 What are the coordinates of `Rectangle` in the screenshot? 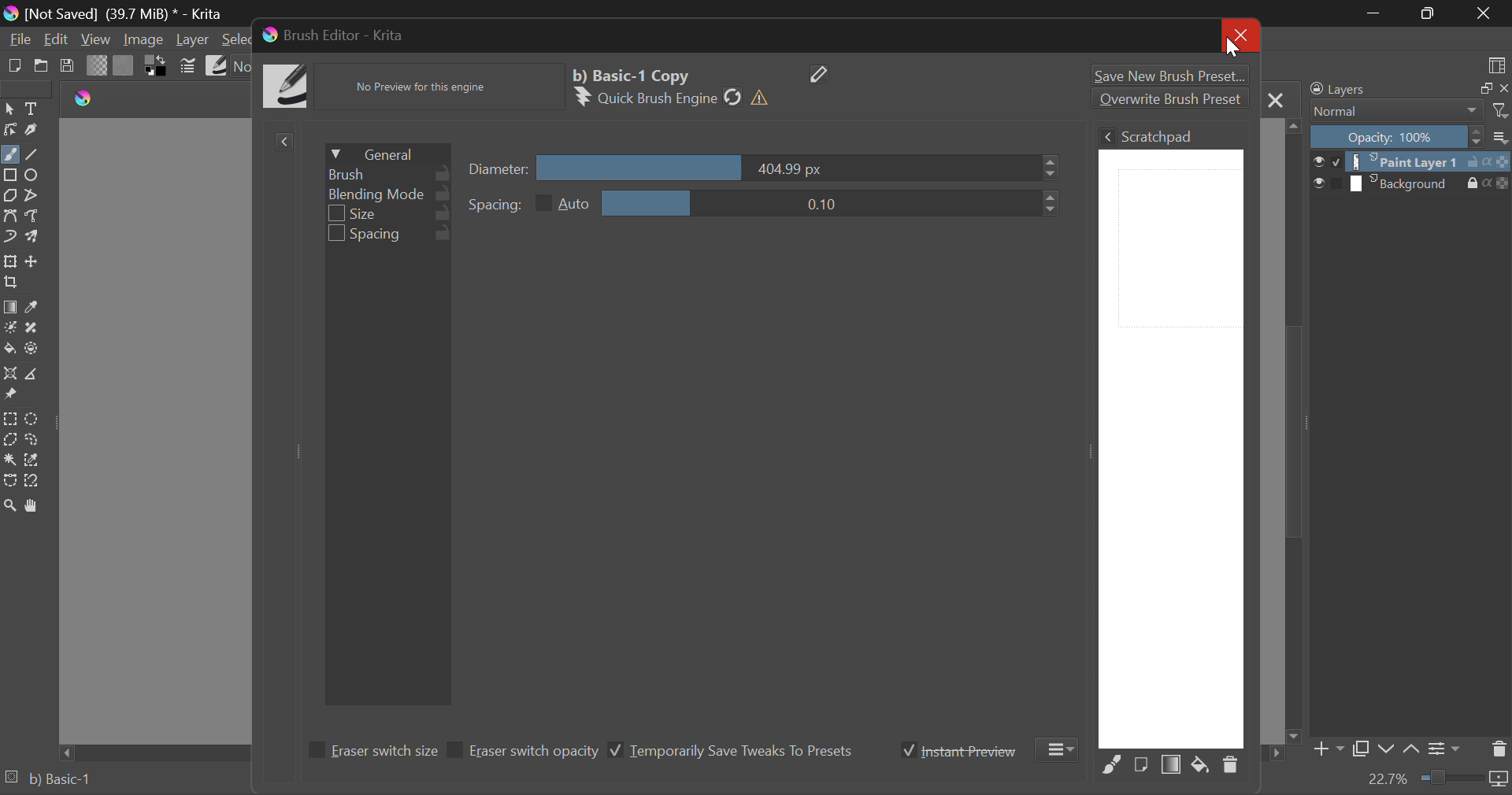 It's located at (11, 176).